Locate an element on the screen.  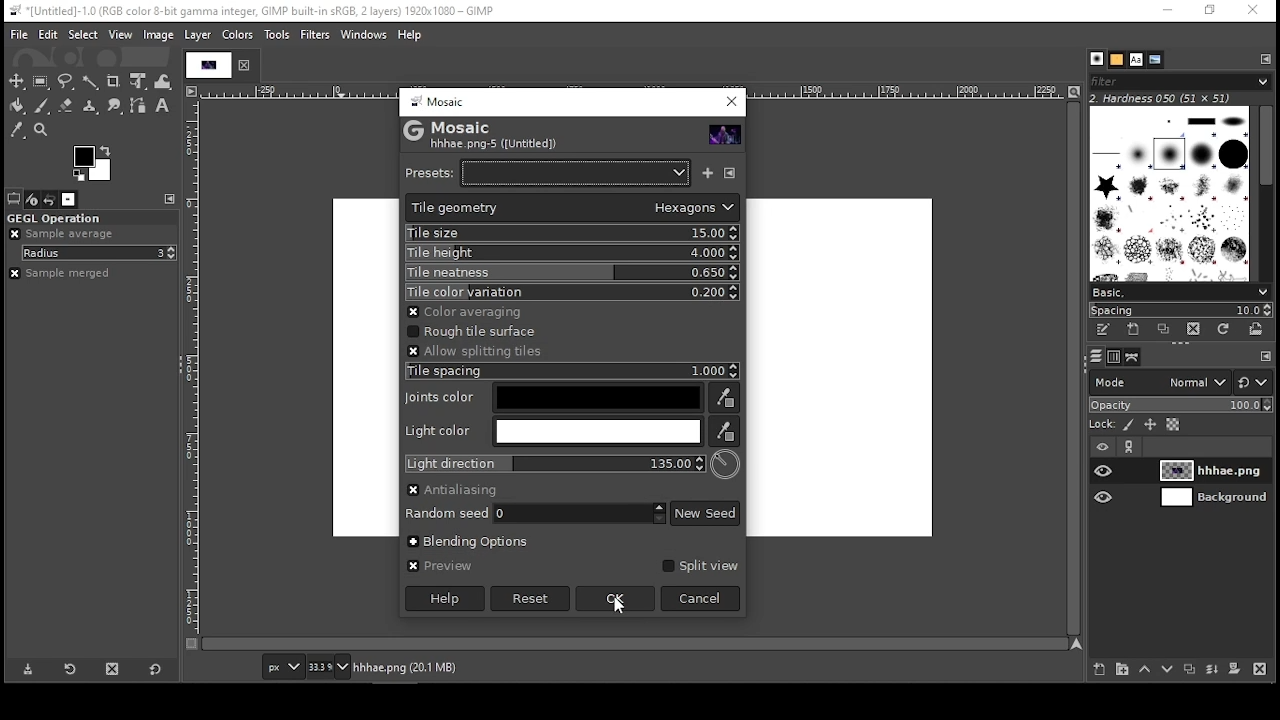
*[Untitled]-10.0 (RGB color 8-bit gamma integer, GIMP built-in sRGB, 2 layers) 1920x1080 — GIMP is located at coordinates (253, 10).